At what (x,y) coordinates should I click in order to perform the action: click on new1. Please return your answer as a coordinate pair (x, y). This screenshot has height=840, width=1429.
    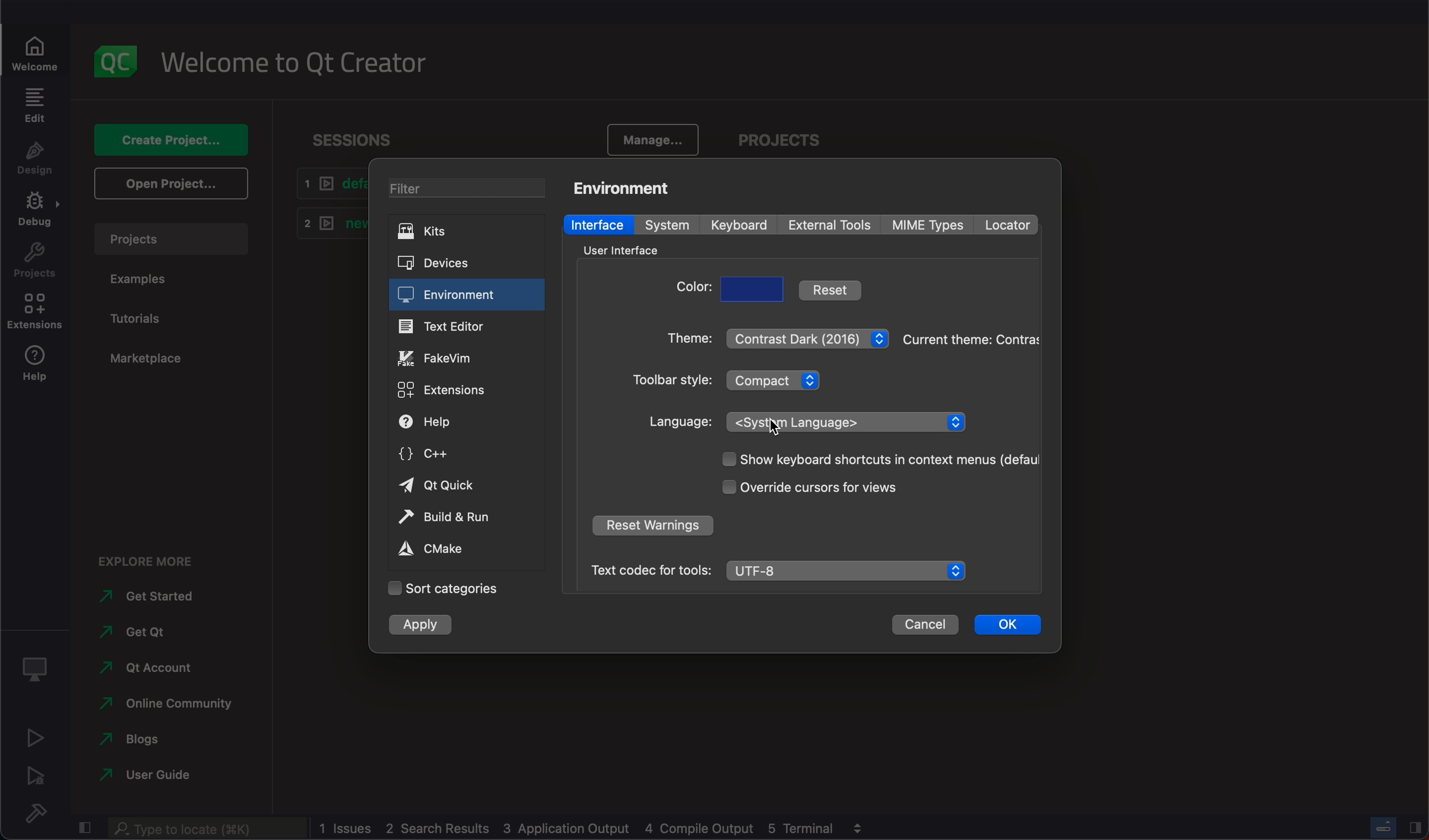
    Looking at the image, I should click on (330, 225).